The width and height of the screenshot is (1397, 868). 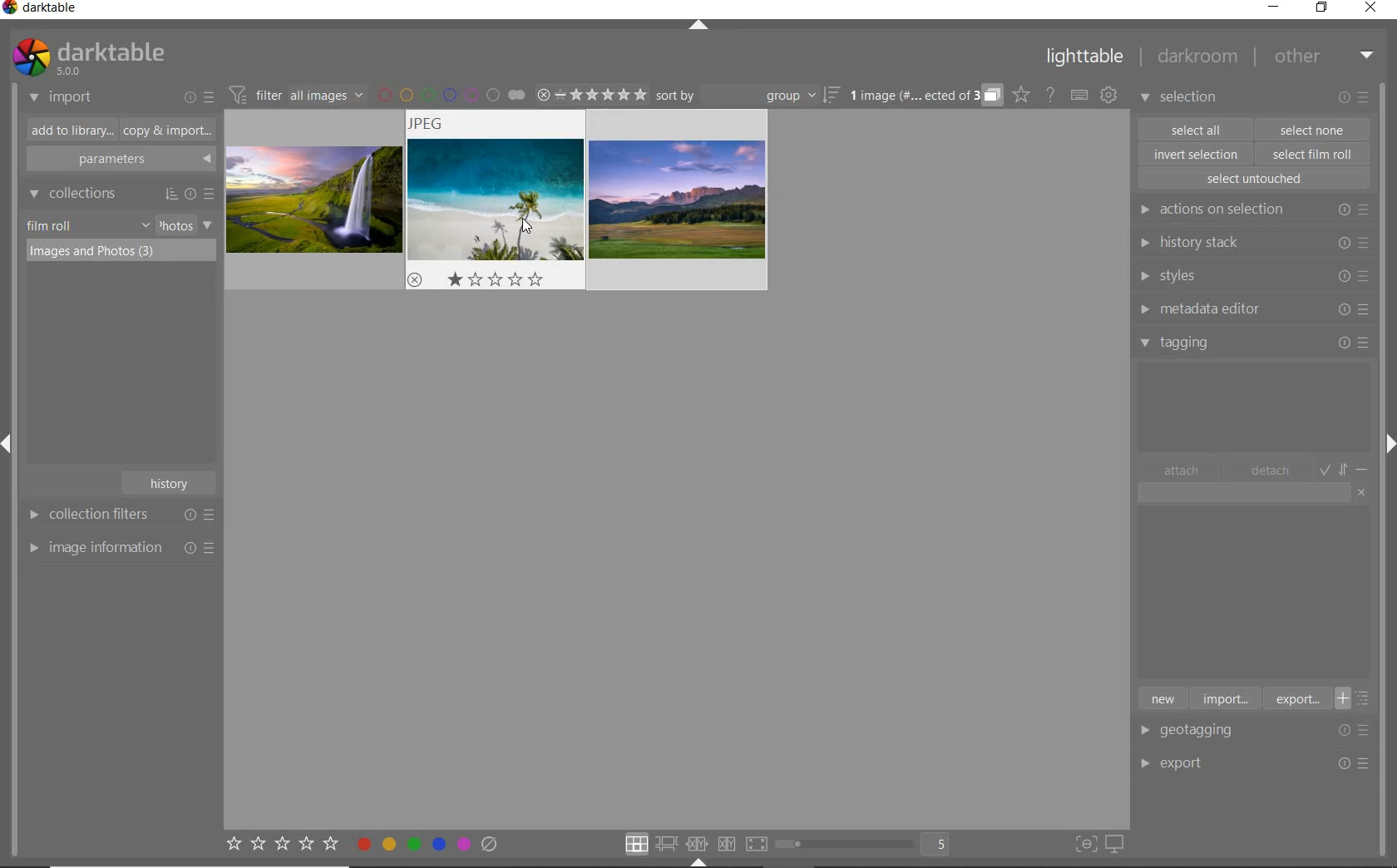 What do you see at coordinates (281, 846) in the screenshot?
I see `set star rating for selected images` at bounding box center [281, 846].